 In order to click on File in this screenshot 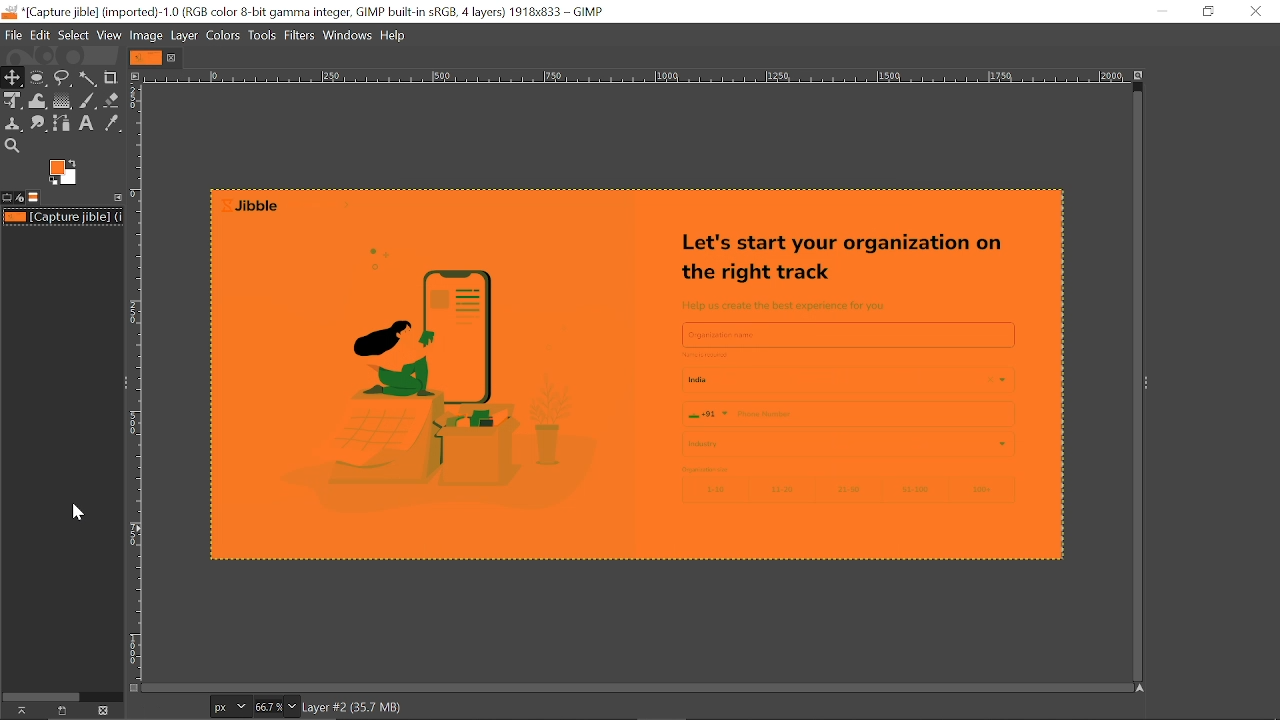, I will do `click(13, 36)`.